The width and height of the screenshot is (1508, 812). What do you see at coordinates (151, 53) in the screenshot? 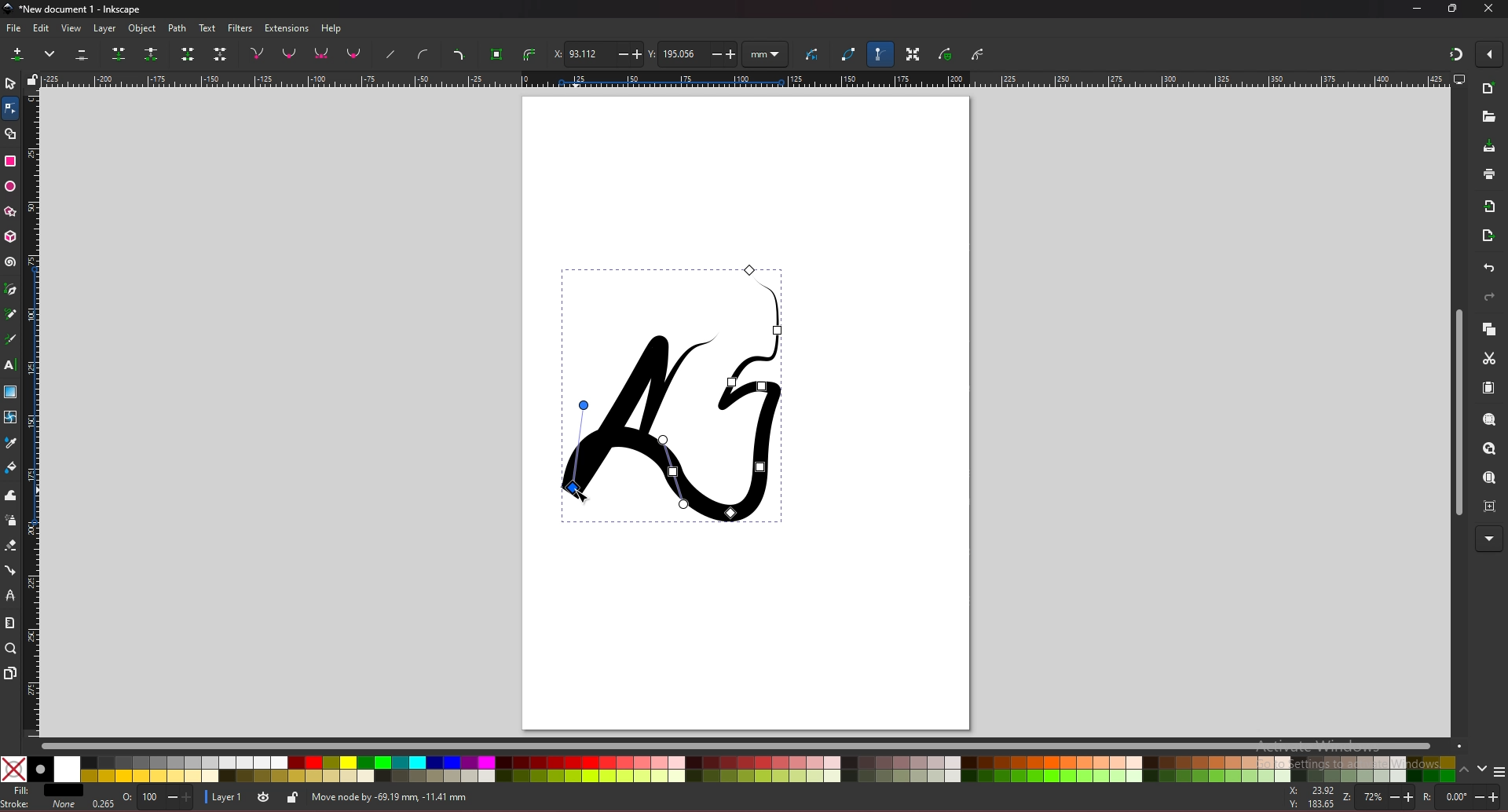
I see `break path` at bounding box center [151, 53].